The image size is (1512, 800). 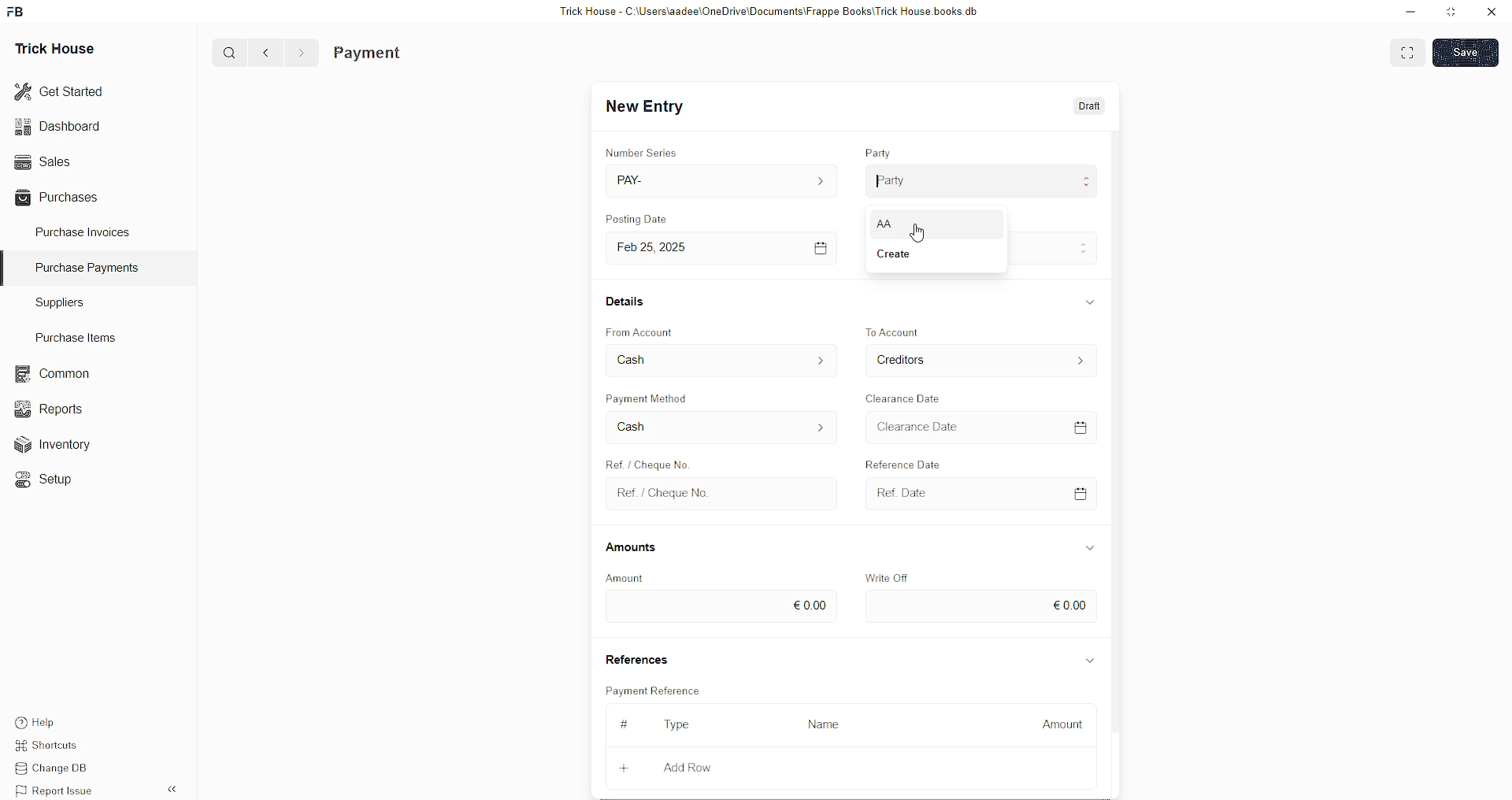 I want to click on Posting Date, so click(x=647, y=220).